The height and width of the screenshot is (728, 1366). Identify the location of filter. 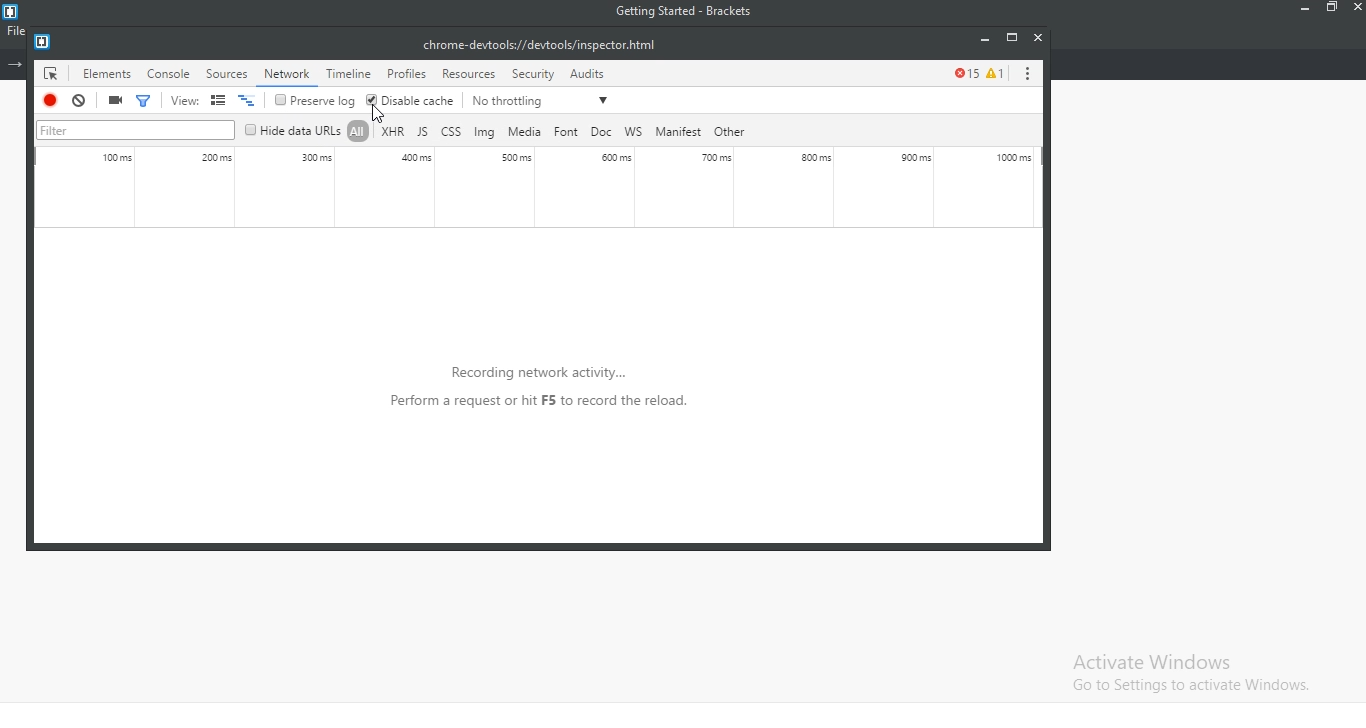
(143, 98).